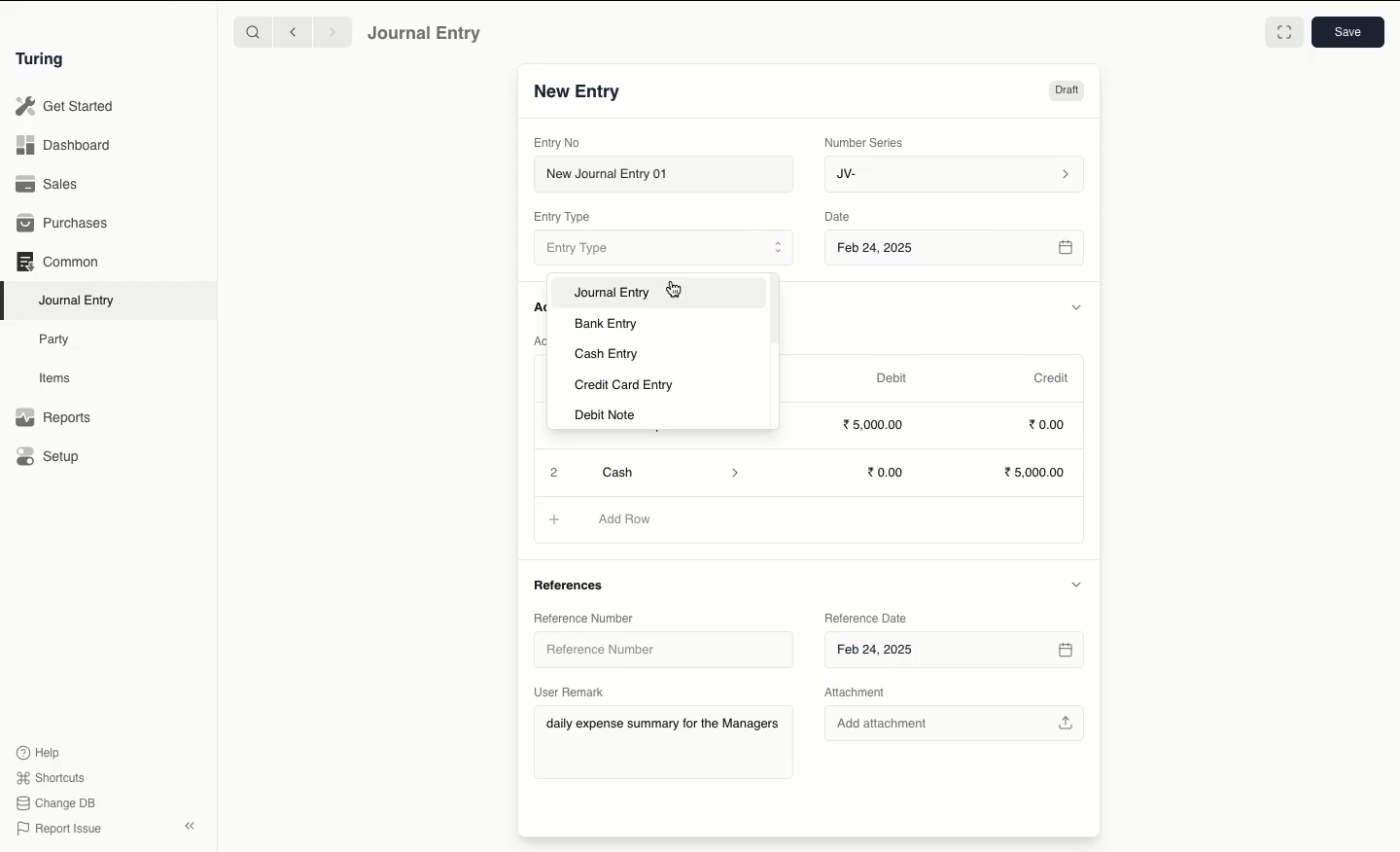  Describe the element at coordinates (865, 620) in the screenshot. I see `Reference Date` at that location.